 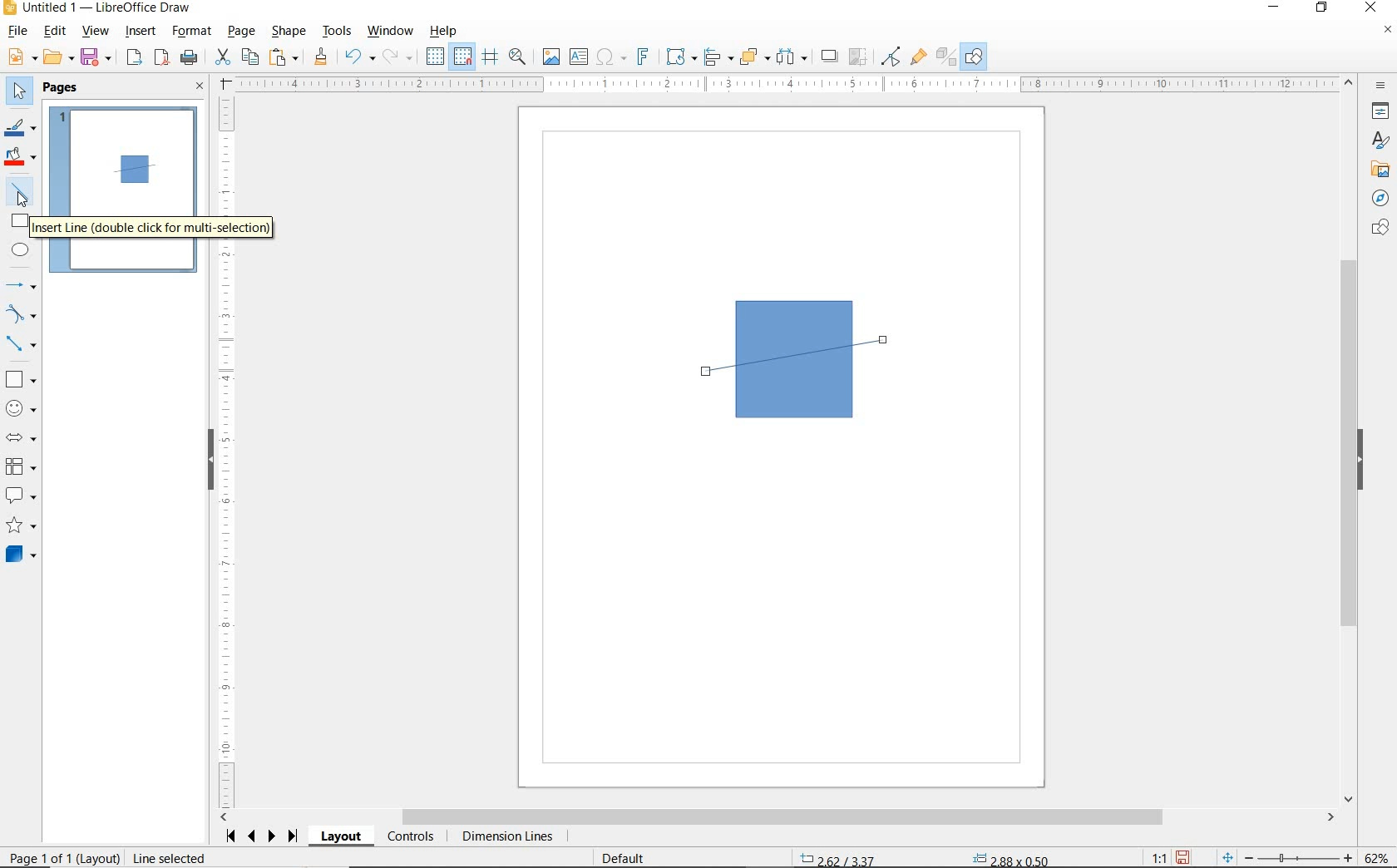 What do you see at coordinates (343, 836) in the screenshot?
I see `LAYOUT` at bounding box center [343, 836].